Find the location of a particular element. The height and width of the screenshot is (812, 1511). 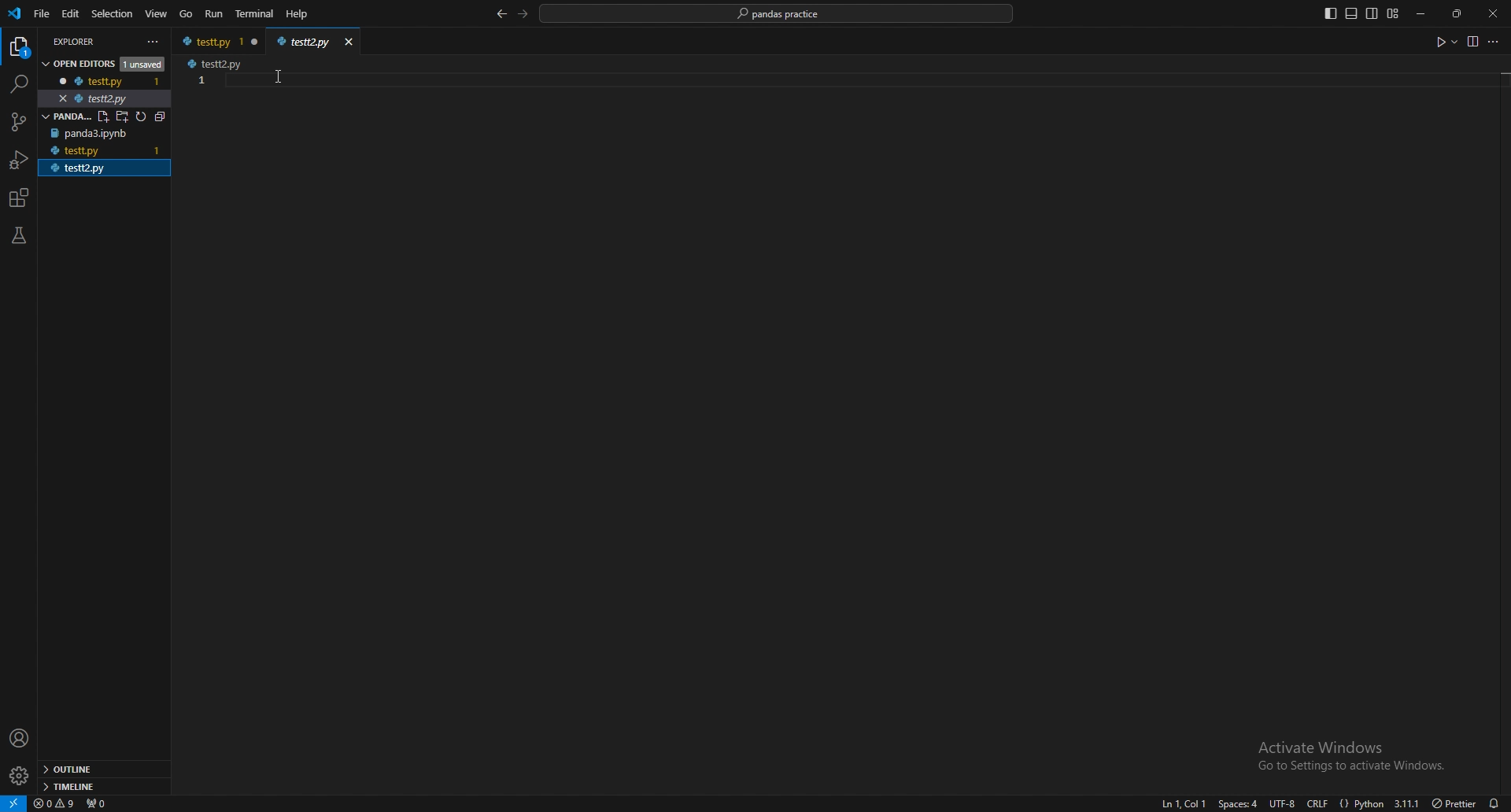

file window is located at coordinates (305, 39).